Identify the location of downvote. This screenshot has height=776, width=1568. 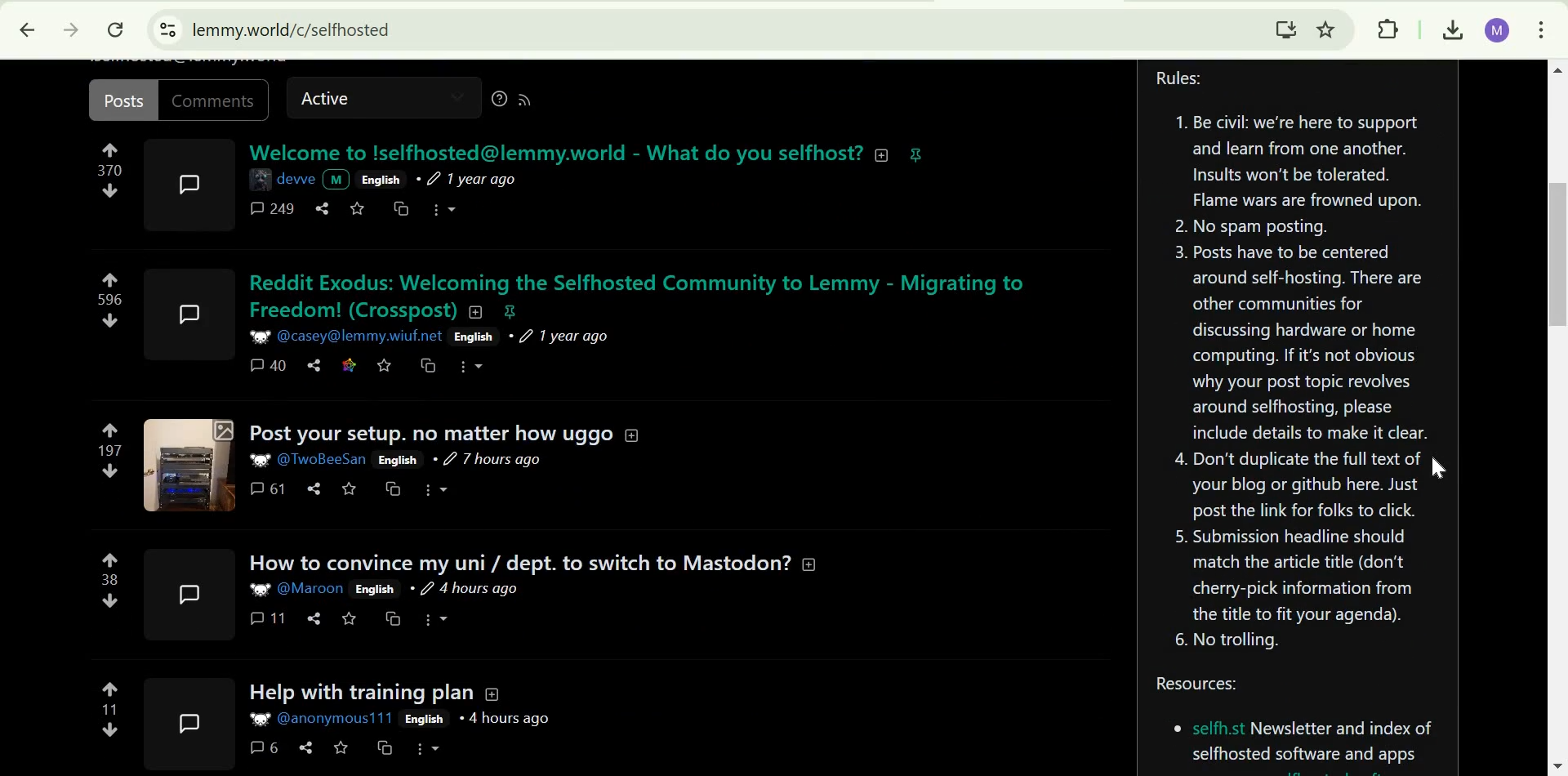
(109, 730).